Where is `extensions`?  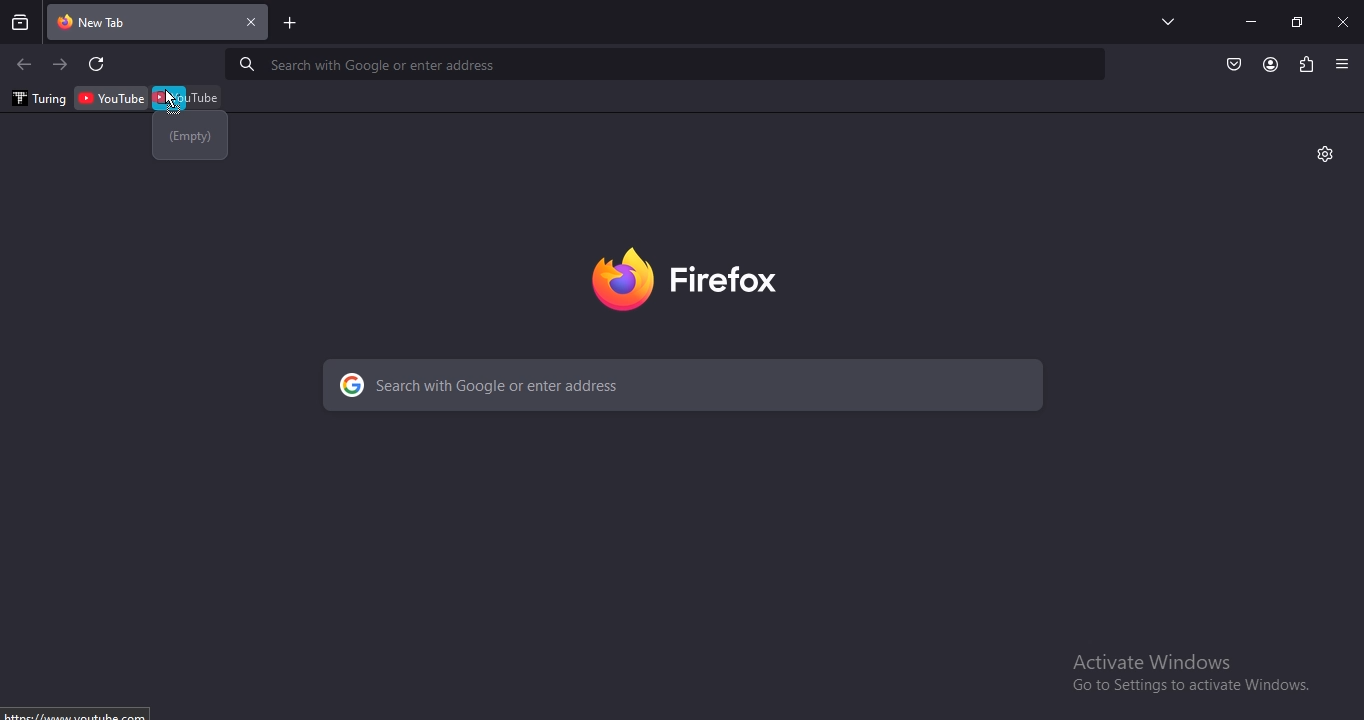 extensions is located at coordinates (1306, 65).